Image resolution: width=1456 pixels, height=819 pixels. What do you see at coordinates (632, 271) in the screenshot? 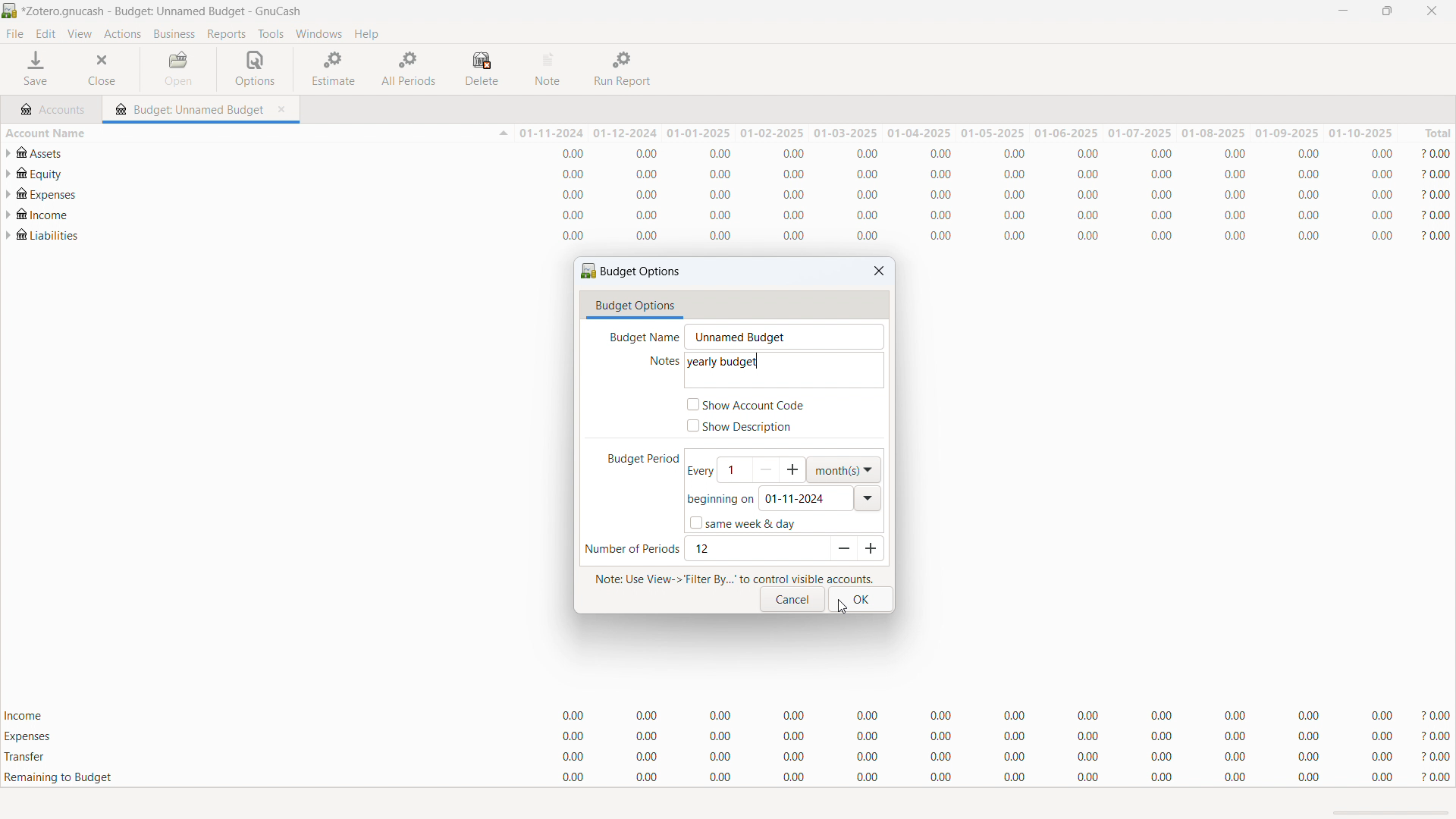
I see `budget options` at bounding box center [632, 271].